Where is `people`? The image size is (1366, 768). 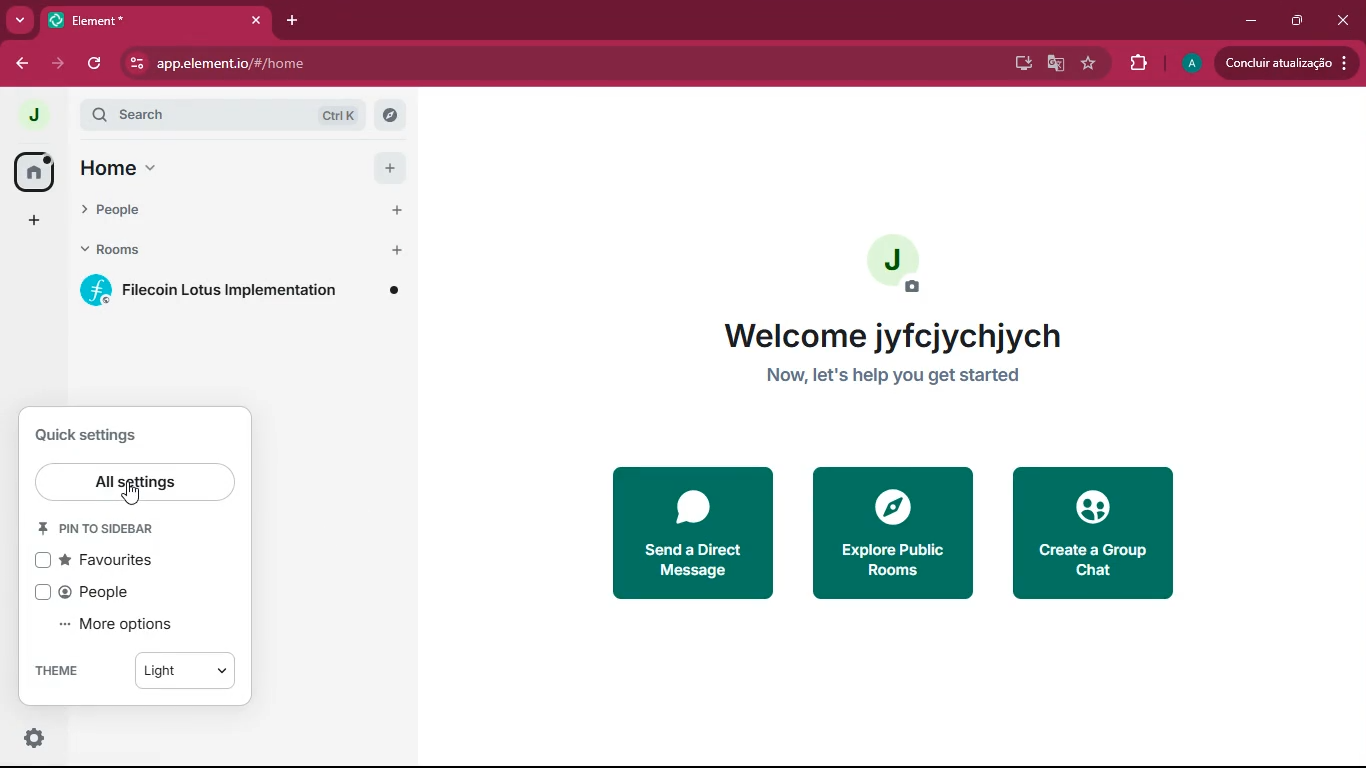
people is located at coordinates (178, 211).